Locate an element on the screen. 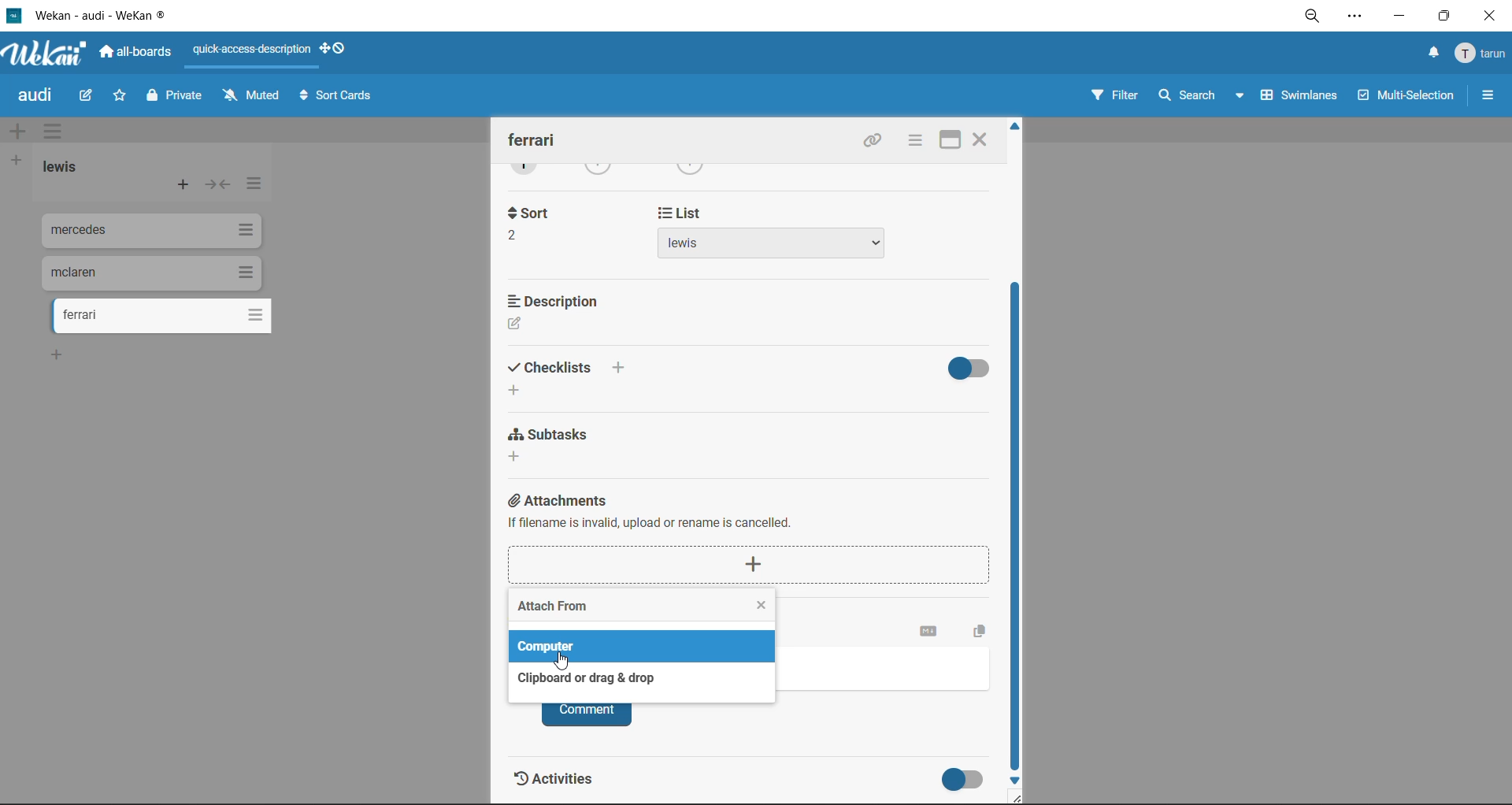 The width and height of the screenshot is (1512, 805). copy is located at coordinates (984, 629).